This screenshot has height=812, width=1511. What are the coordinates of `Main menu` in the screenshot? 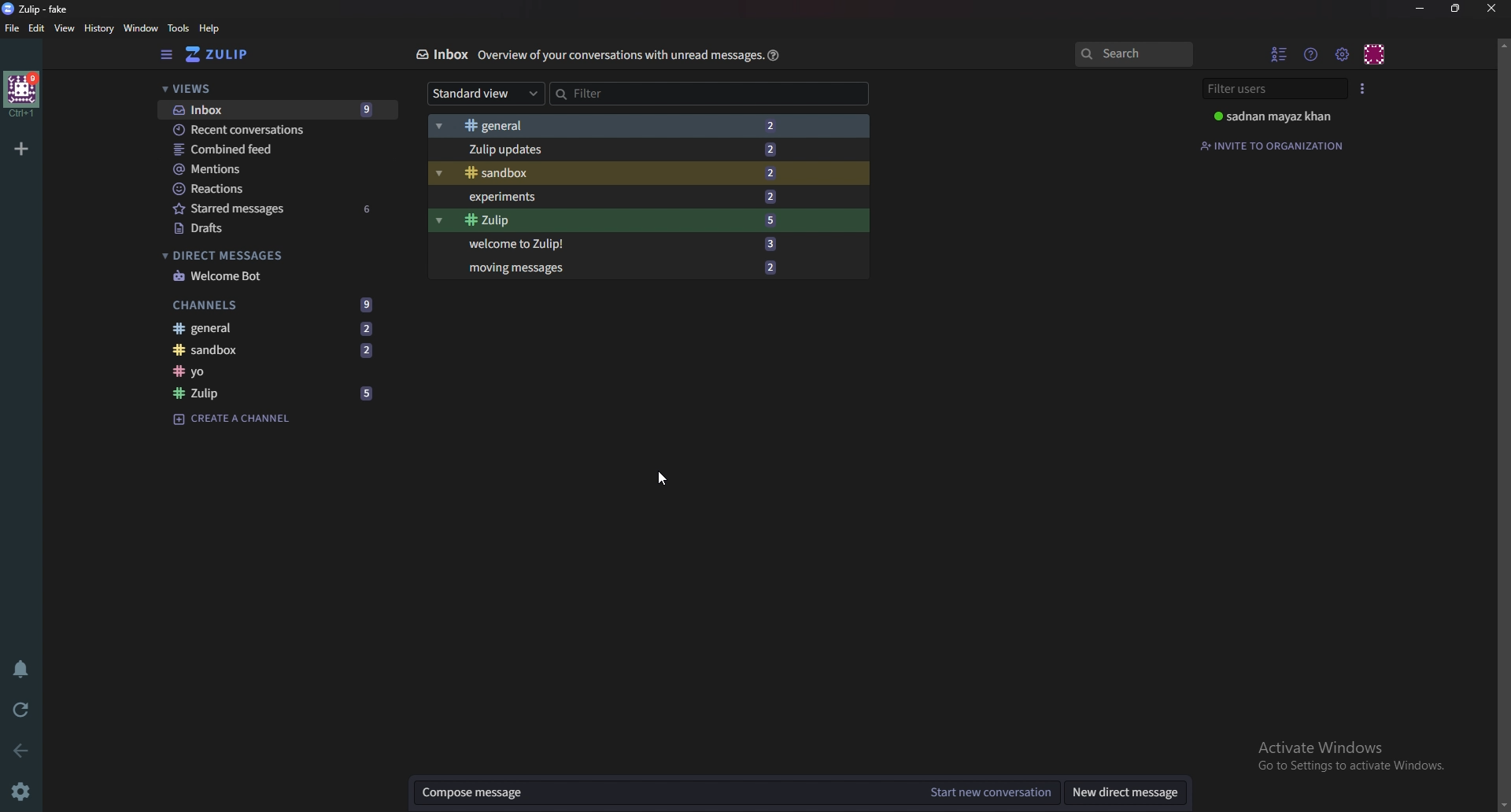 It's located at (1343, 54).